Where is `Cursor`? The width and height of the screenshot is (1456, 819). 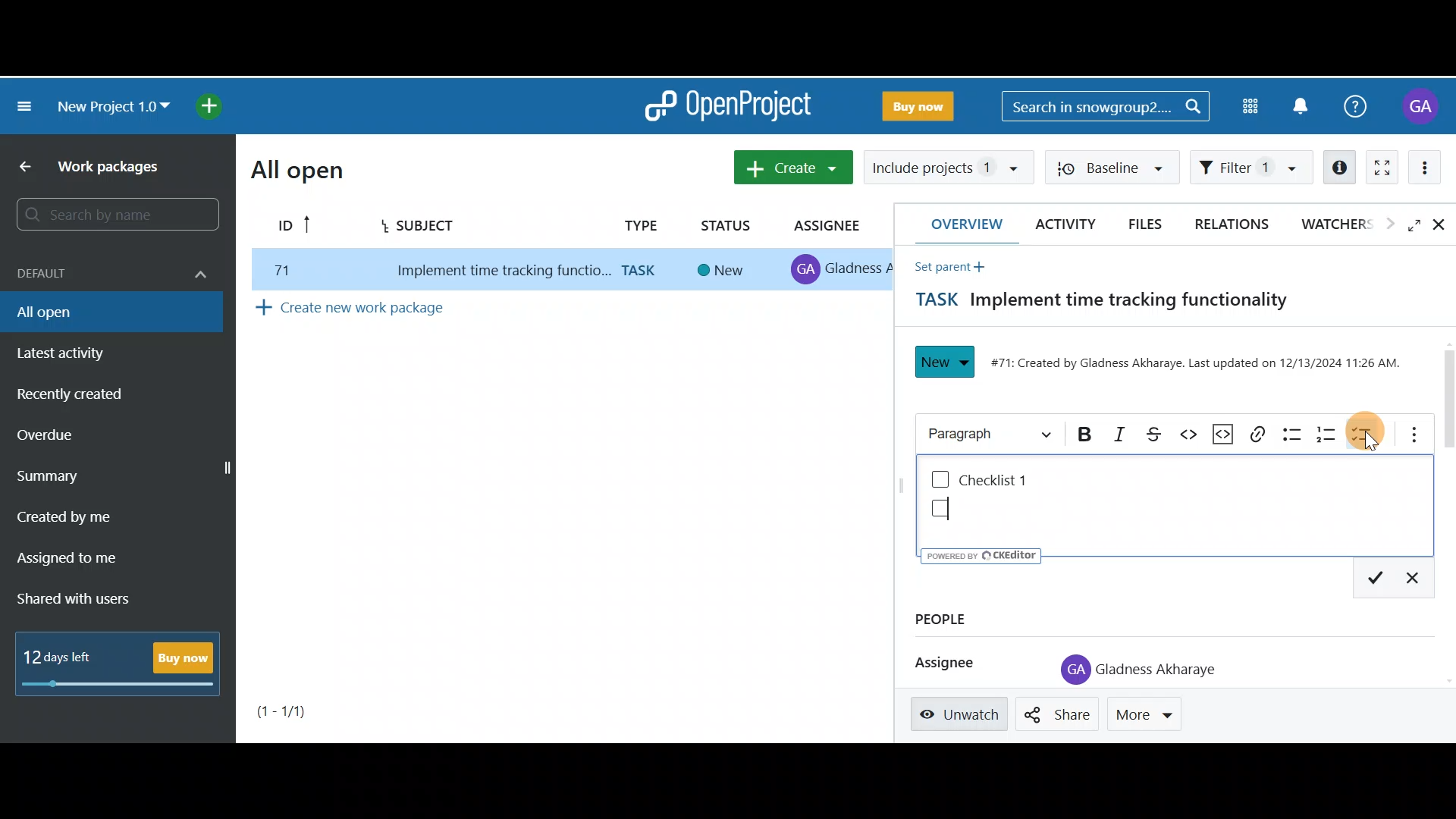 Cursor is located at coordinates (956, 508).